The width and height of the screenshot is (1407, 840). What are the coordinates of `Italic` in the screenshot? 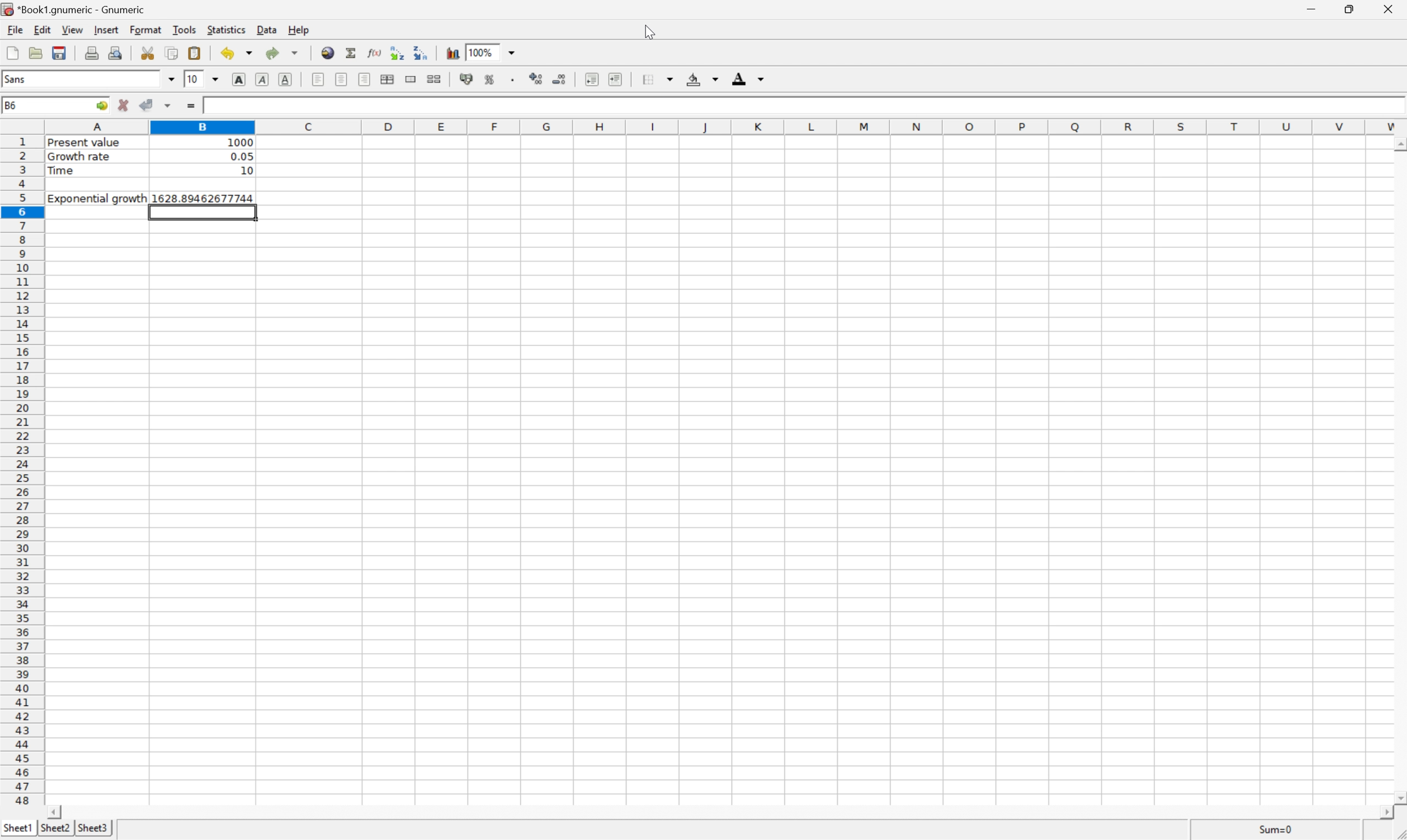 It's located at (261, 79).